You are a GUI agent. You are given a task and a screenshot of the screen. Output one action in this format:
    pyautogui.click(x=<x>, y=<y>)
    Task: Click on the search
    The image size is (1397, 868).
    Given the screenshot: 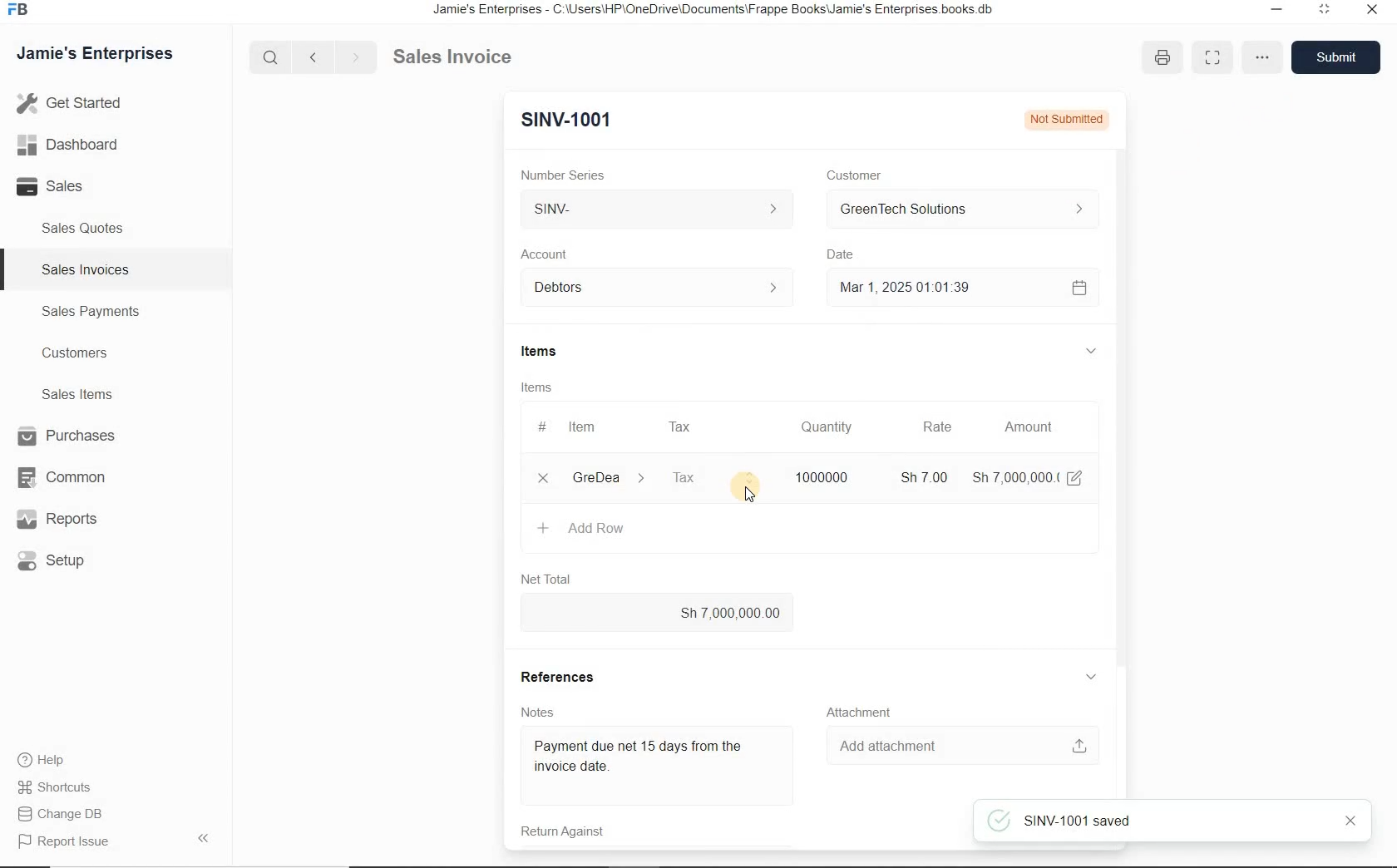 What is the action you would take?
    pyautogui.click(x=274, y=57)
    